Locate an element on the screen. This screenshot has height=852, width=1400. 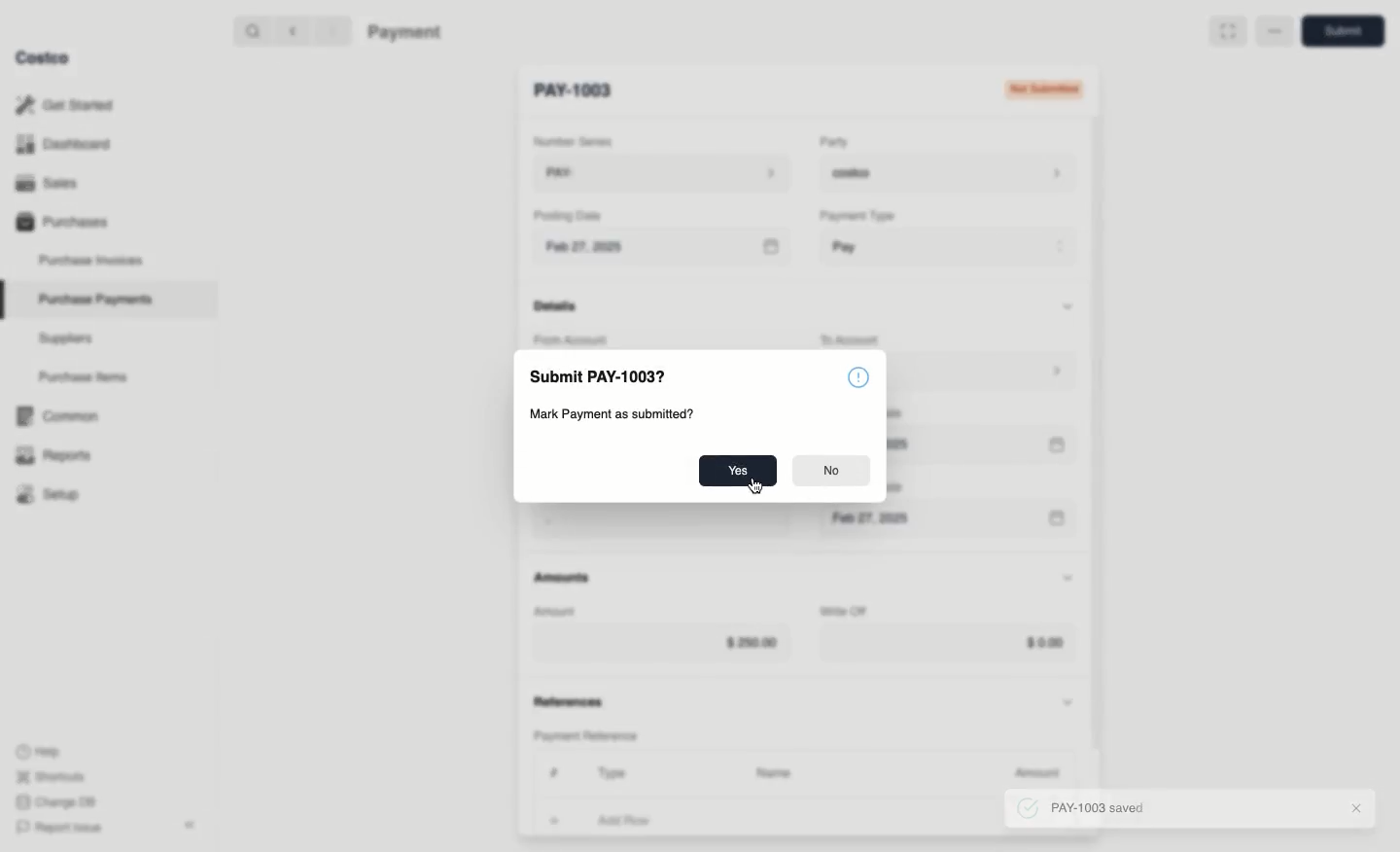
Yes is located at coordinates (737, 470).